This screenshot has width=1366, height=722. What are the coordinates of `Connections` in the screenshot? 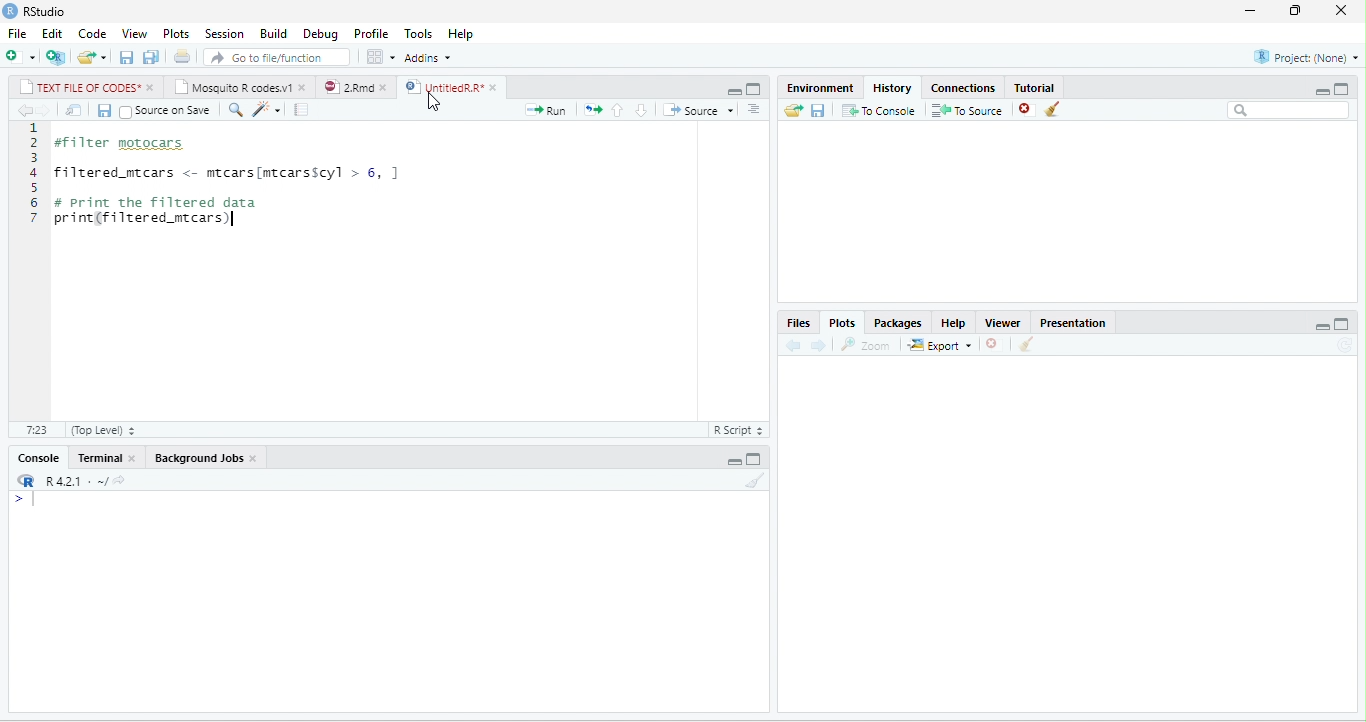 It's located at (963, 88).